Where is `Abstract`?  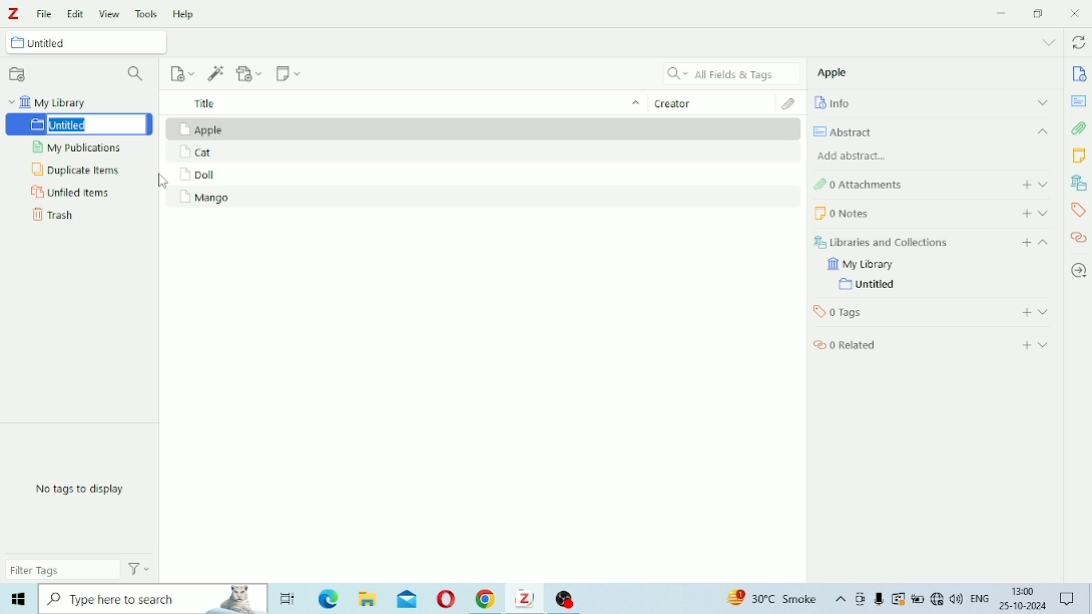
Abstract is located at coordinates (1079, 101).